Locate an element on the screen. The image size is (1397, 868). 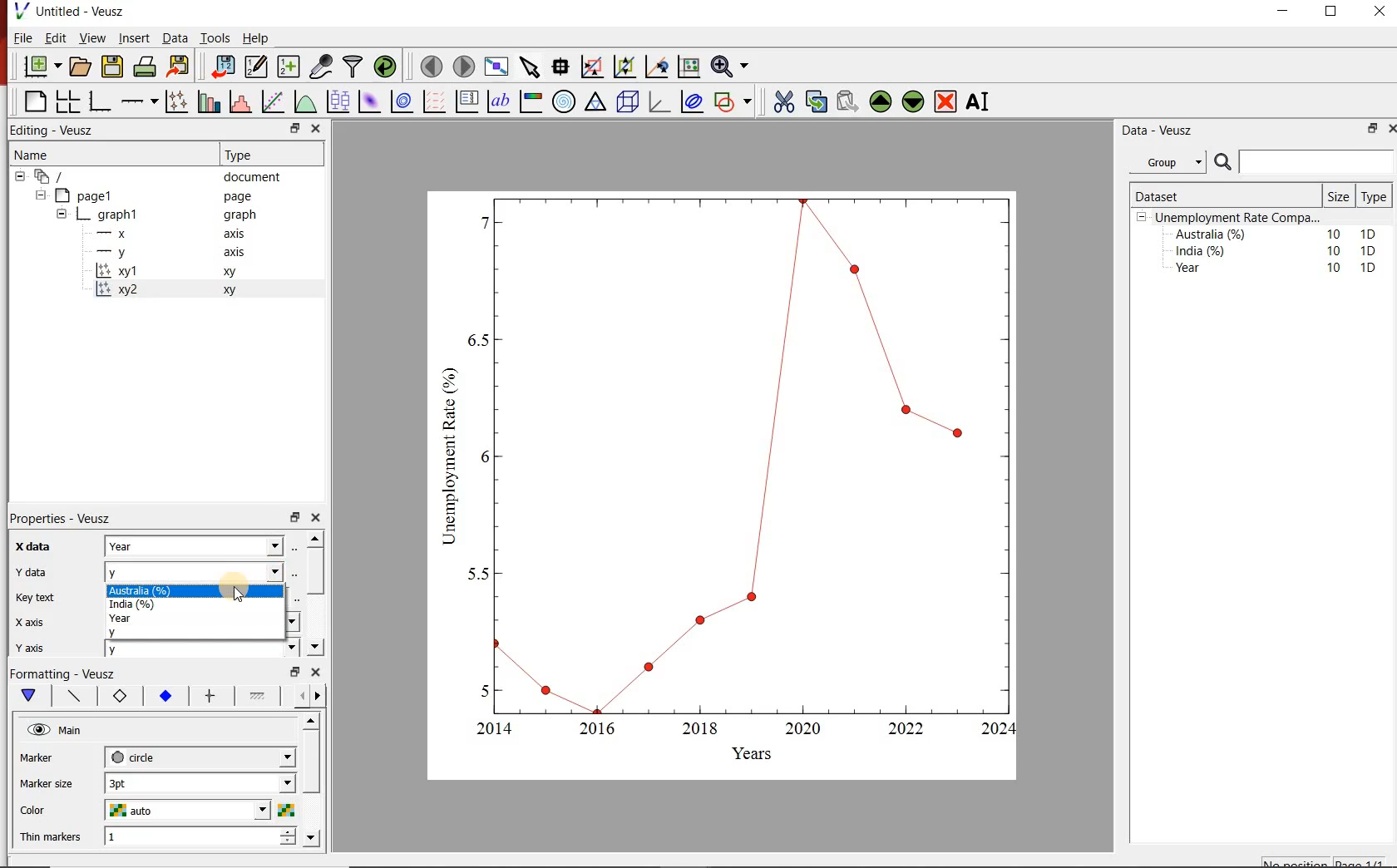
add a shapes is located at coordinates (733, 101).